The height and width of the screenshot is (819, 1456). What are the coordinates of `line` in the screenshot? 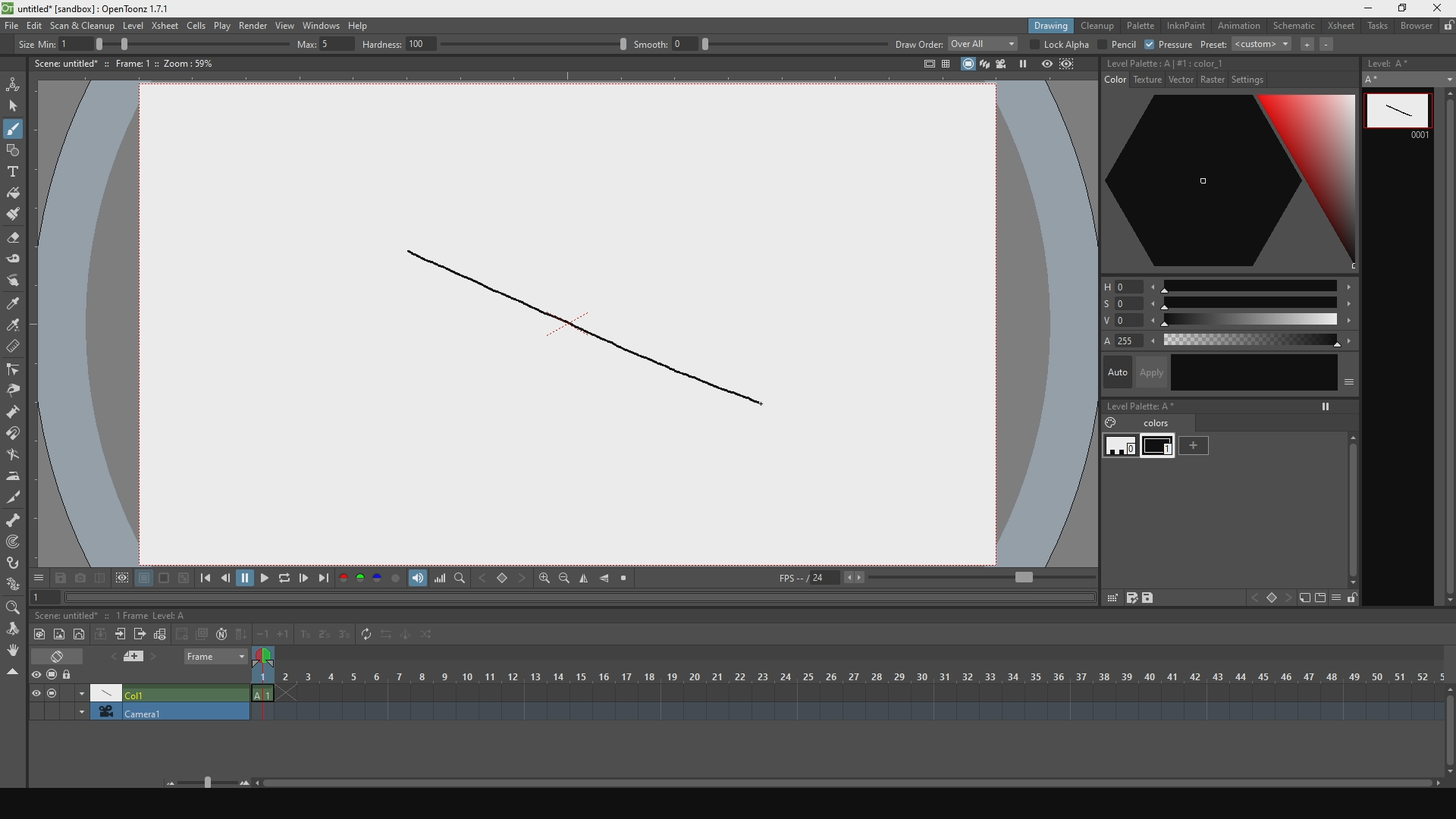 It's located at (587, 329).